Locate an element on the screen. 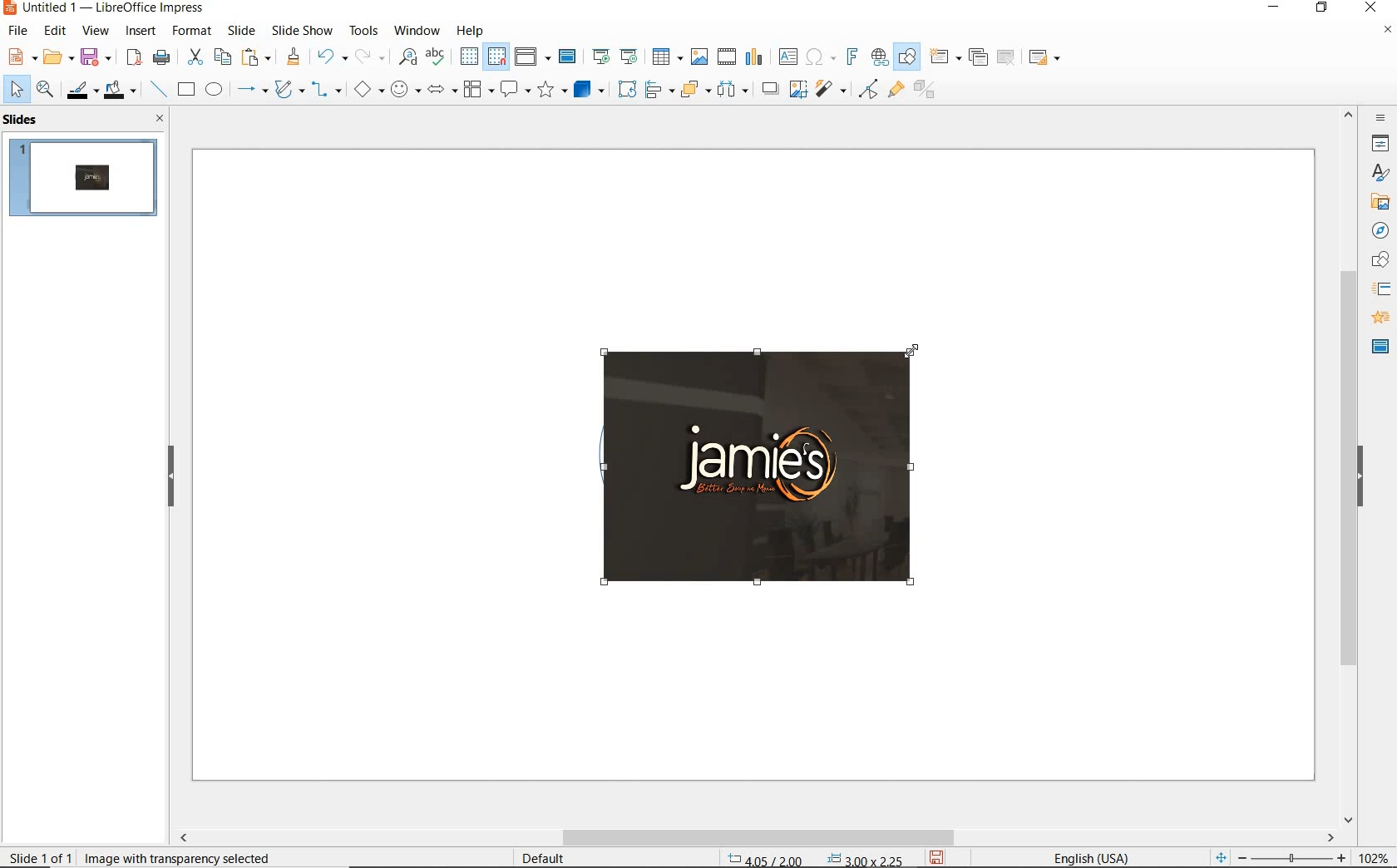 This screenshot has height=868, width=1397. start from first/current slide is located at coordinates (615, 55).